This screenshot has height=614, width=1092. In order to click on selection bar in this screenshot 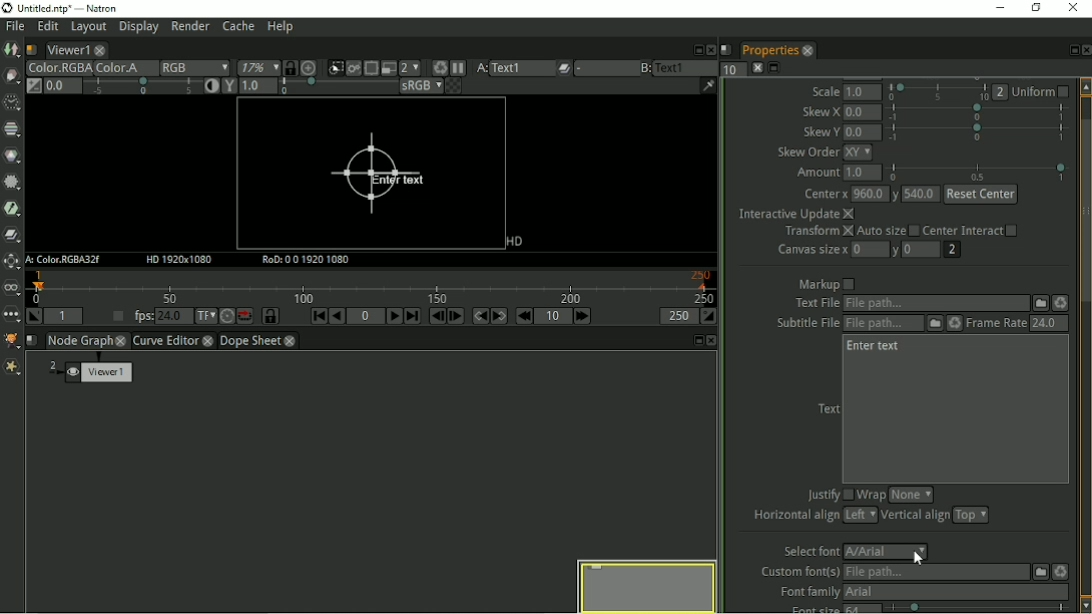, I will do `click(938, 92)`.